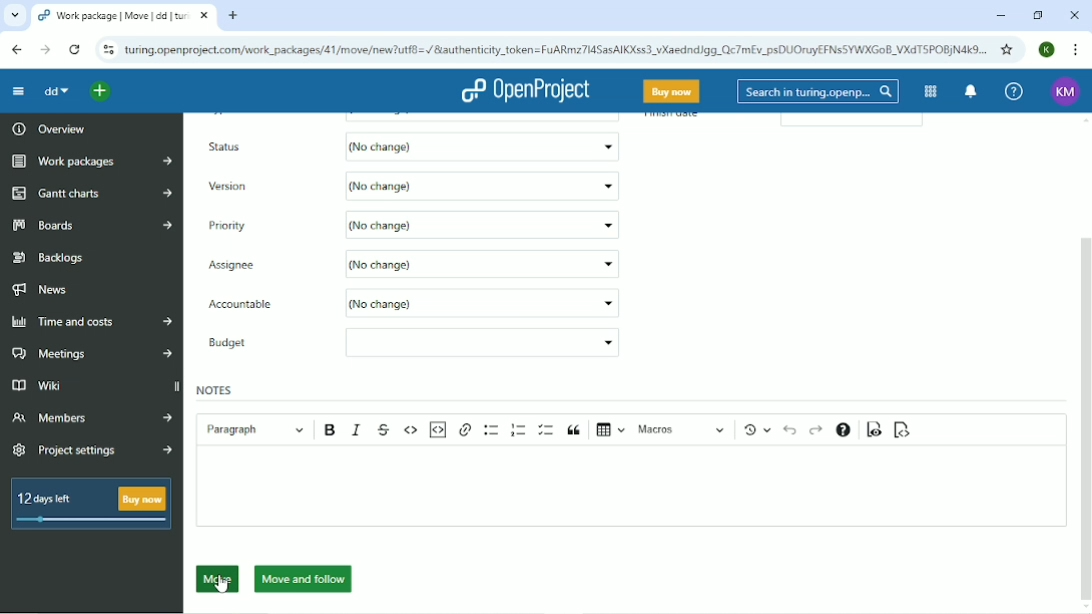  I want to click on News, so click(49, 289).